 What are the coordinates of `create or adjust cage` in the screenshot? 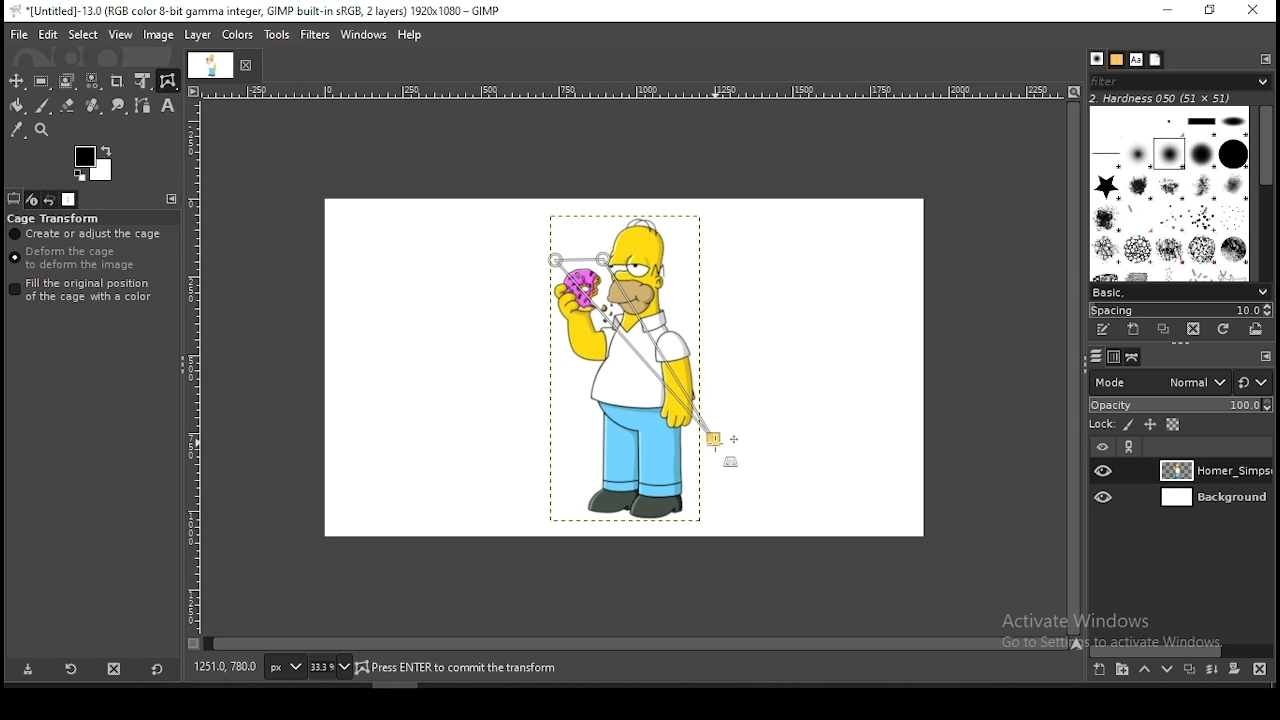 It's located at (87, 234).